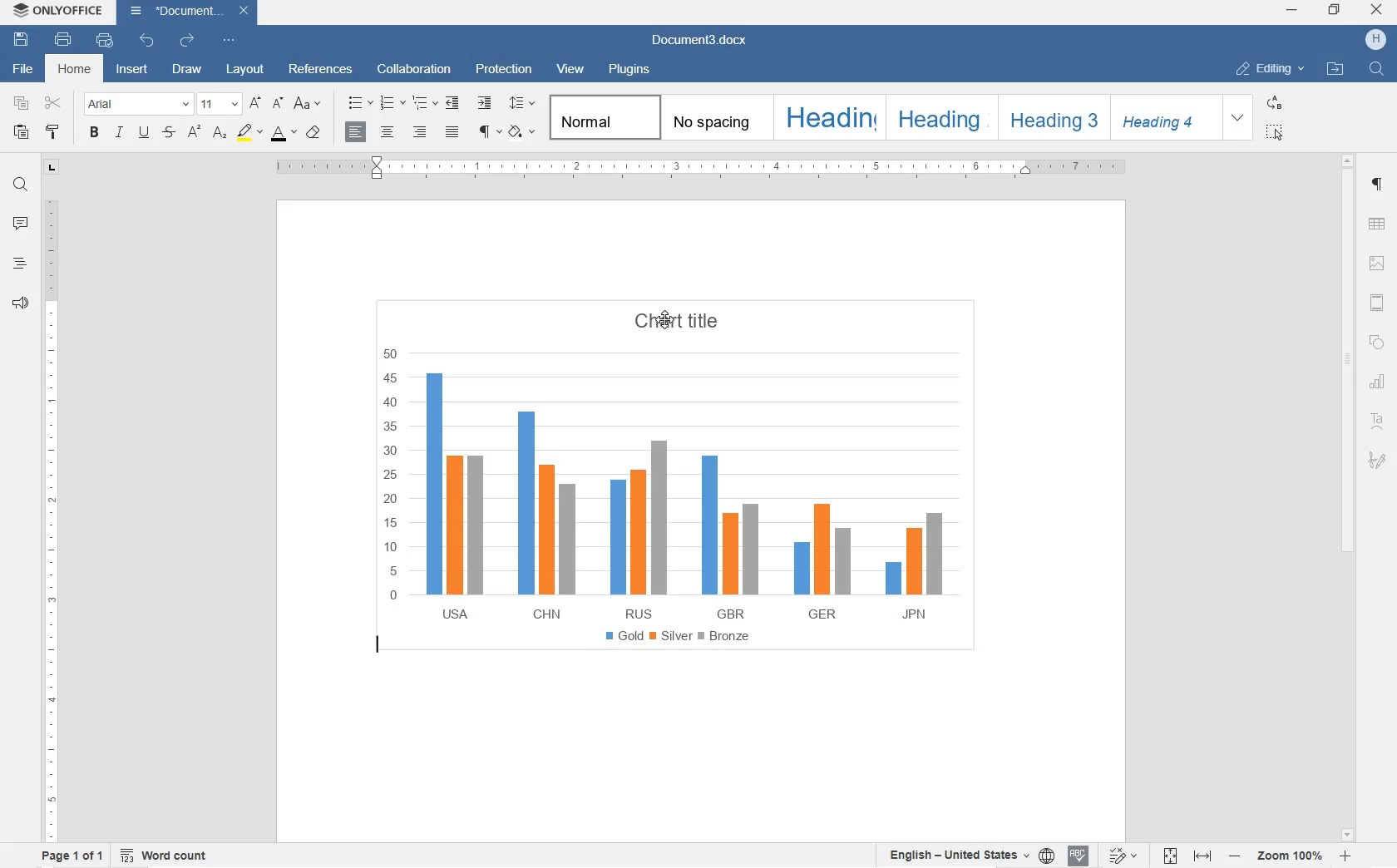 This screenshot has height=868, width=1397. I want to click on SIGNATURE, so click(1377, 462).